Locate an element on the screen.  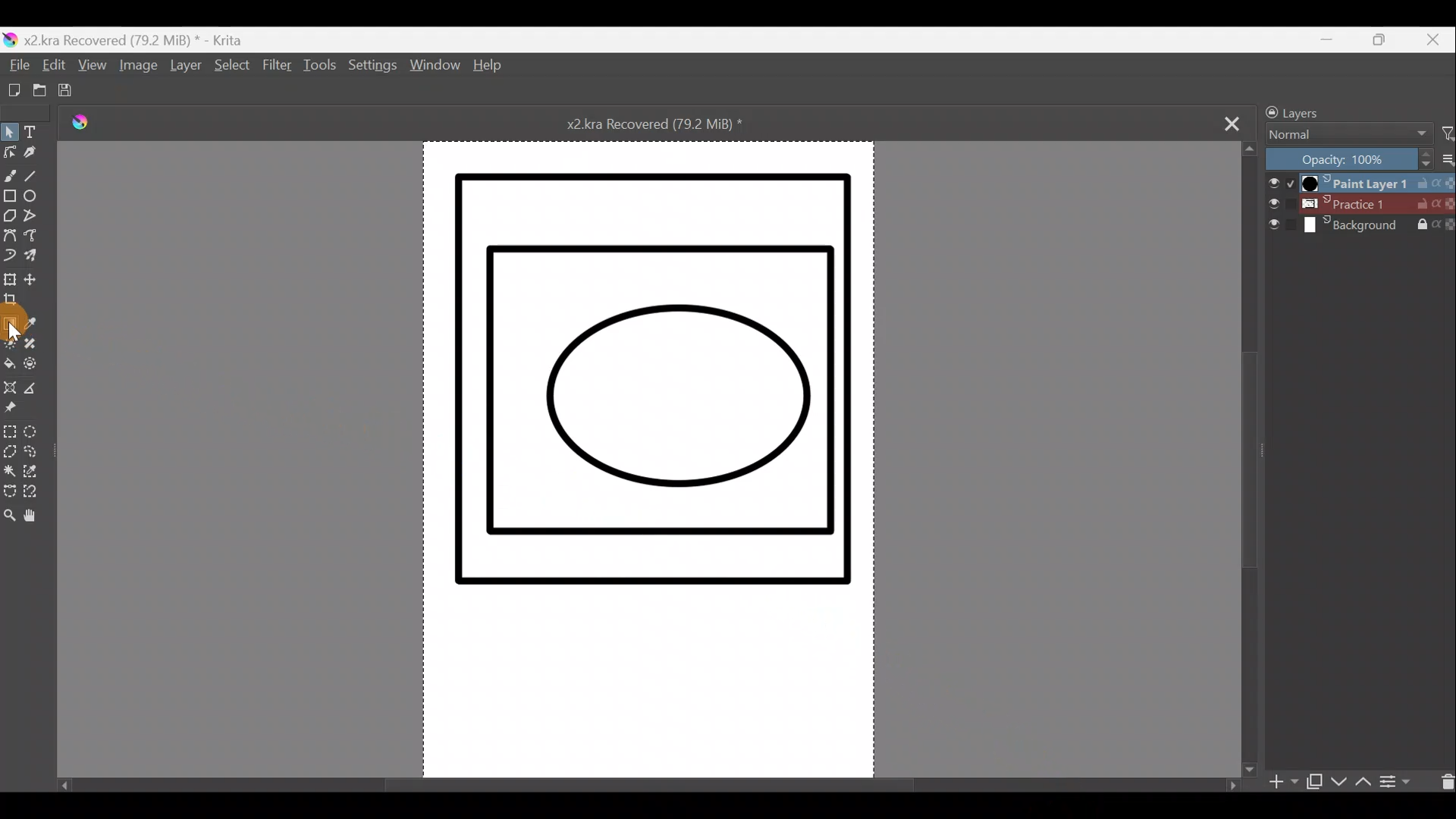
Layer 3 is located at coordinates (1360, 227).